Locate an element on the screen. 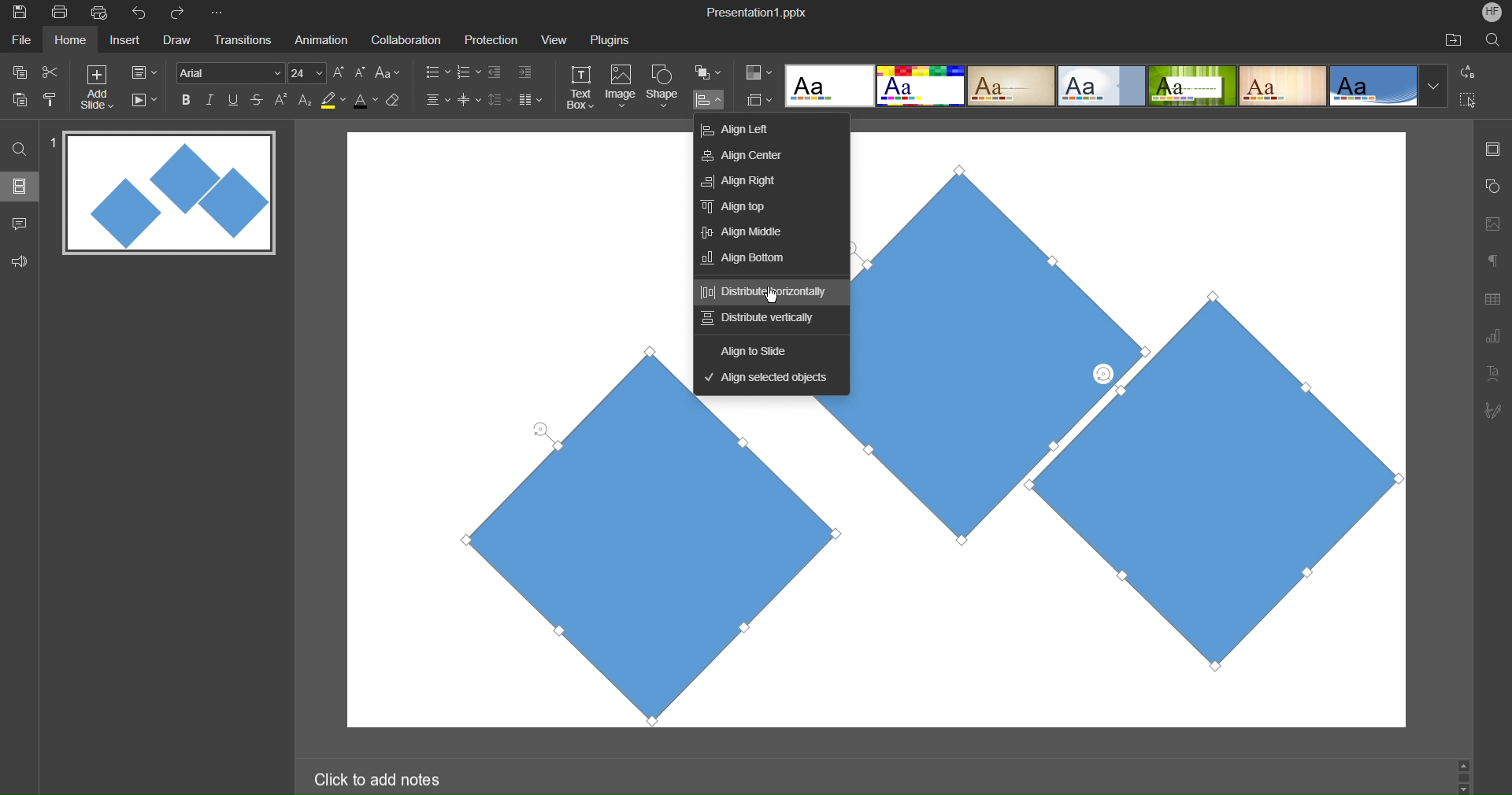 Image resolution: width=1512 pixels, height=795 pixels. support is located at coordinates (24, 260).